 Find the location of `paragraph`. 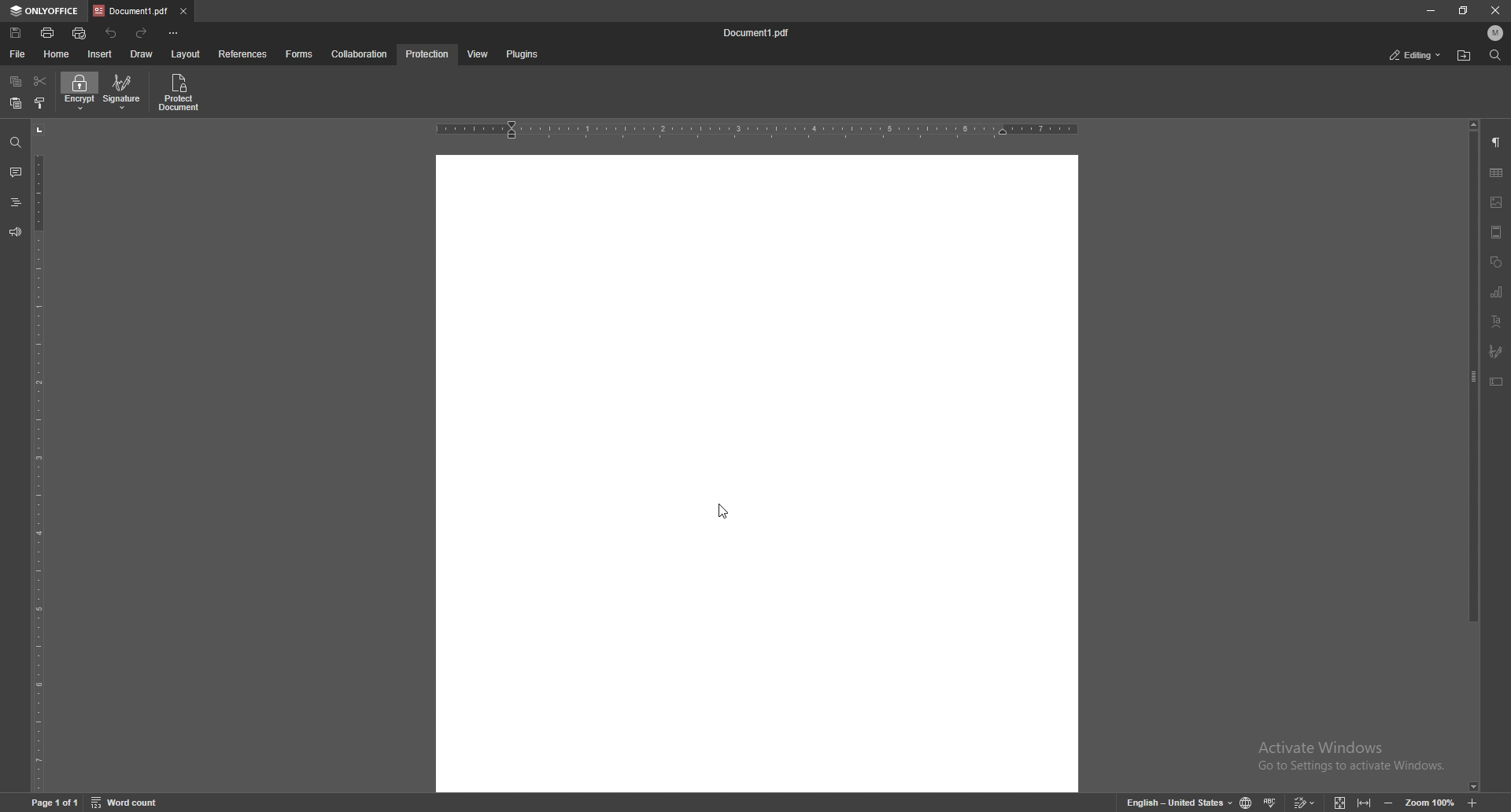

paragraph is located at coordinates (1495, 143).